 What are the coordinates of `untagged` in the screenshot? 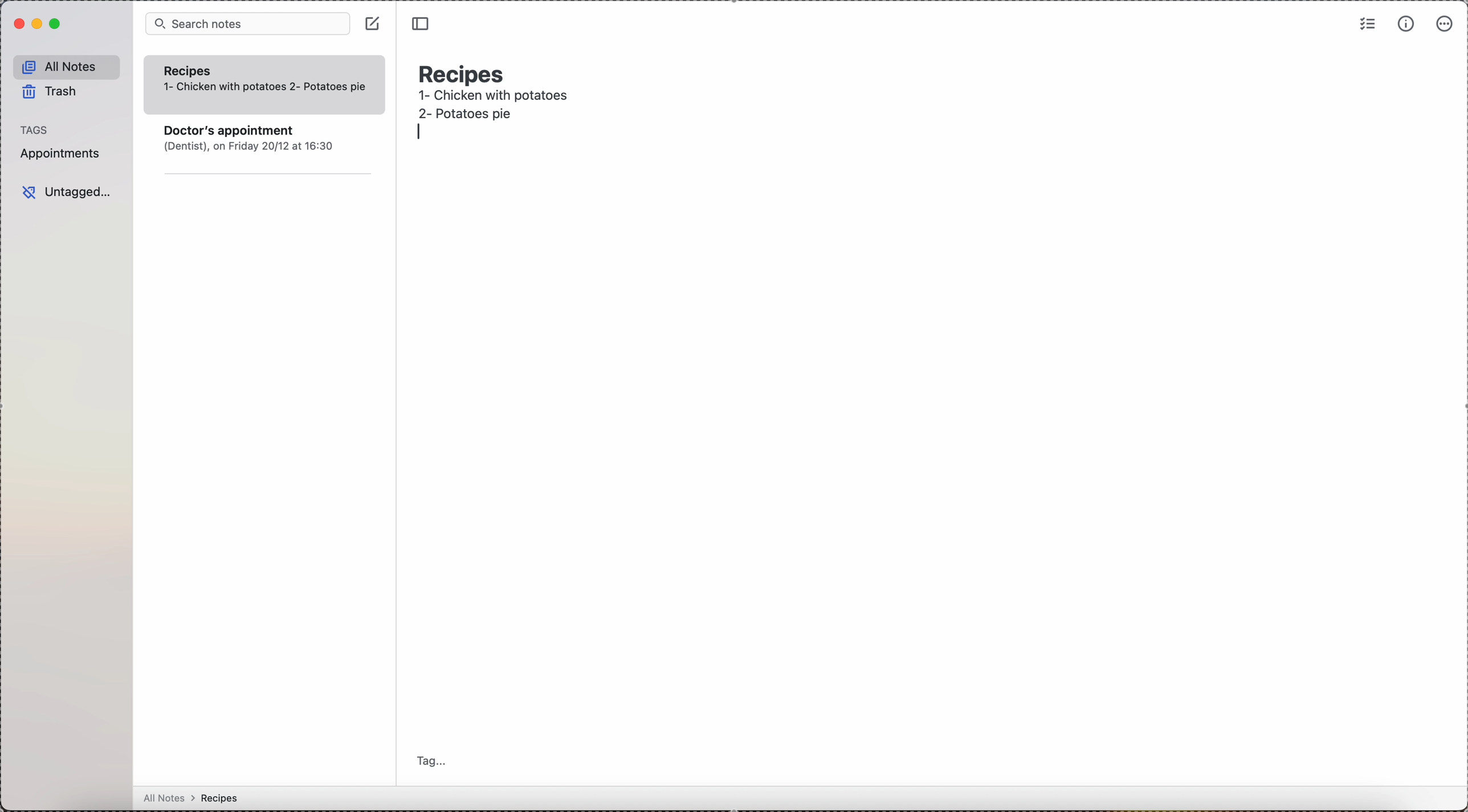 It's located at (64, 191).